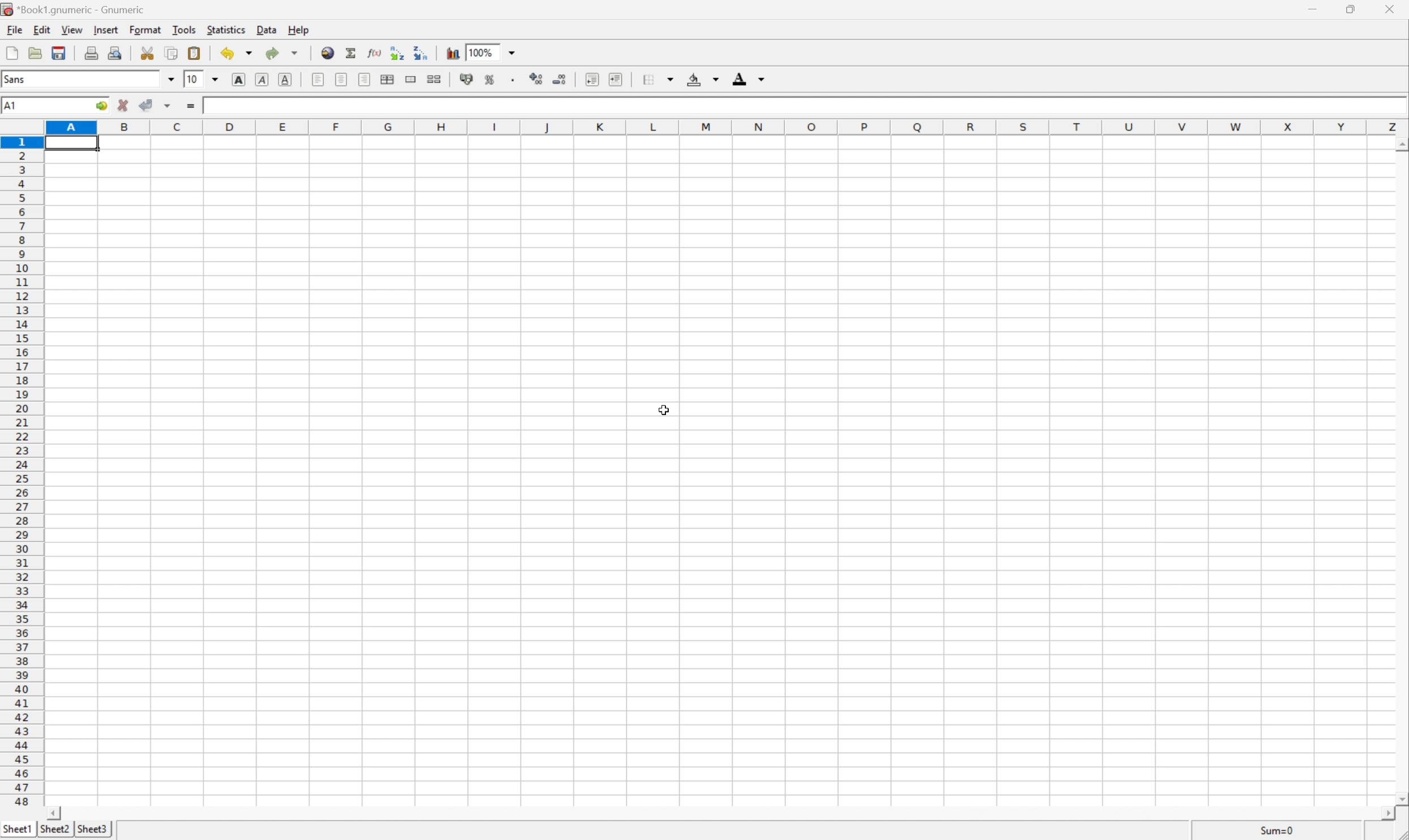 Image resolution: width=1409 pixels, height=840 pixels. I want to click on Sheet3, so click(54, 829).